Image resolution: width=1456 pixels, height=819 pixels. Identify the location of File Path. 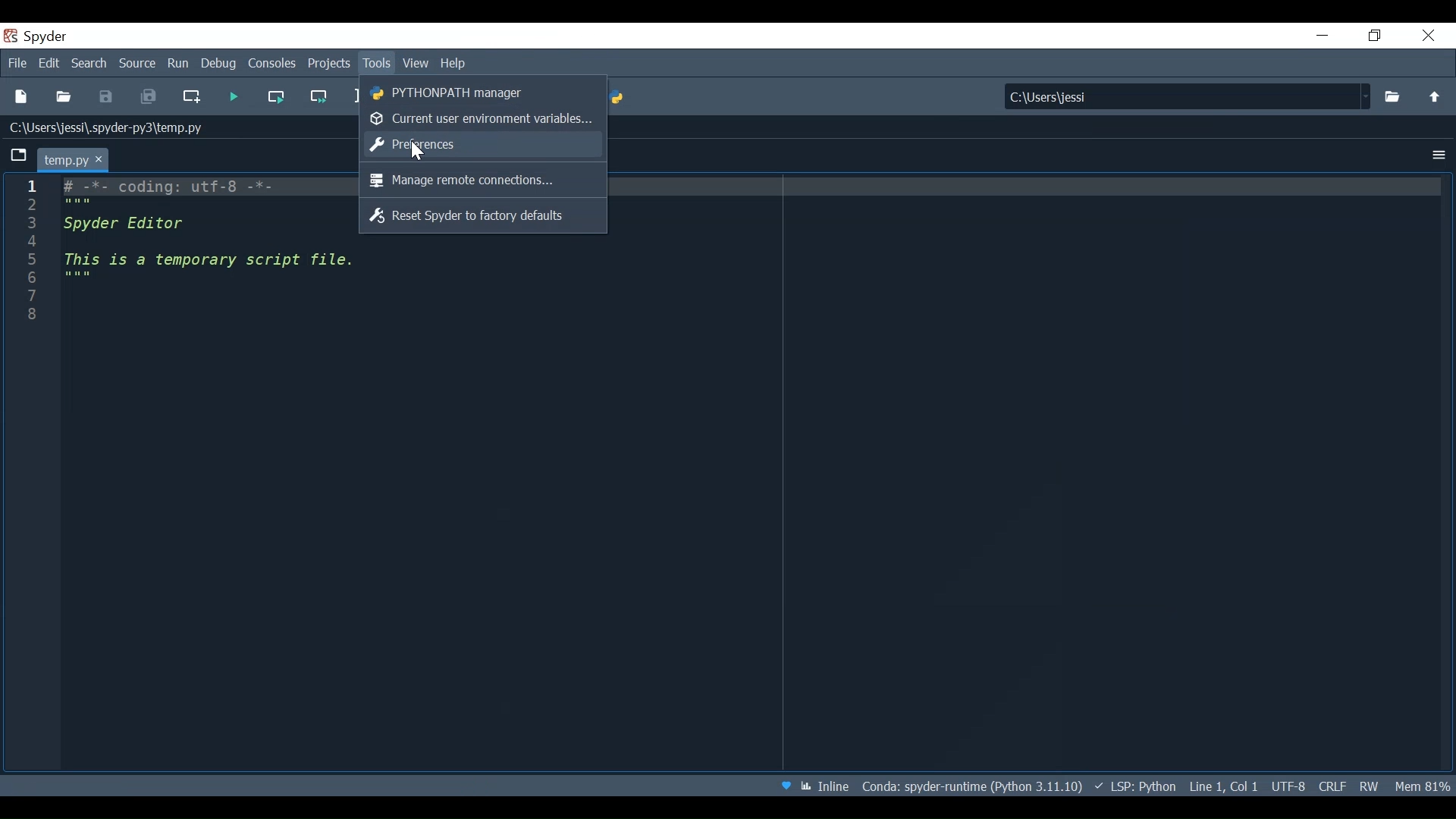
(111, 128).